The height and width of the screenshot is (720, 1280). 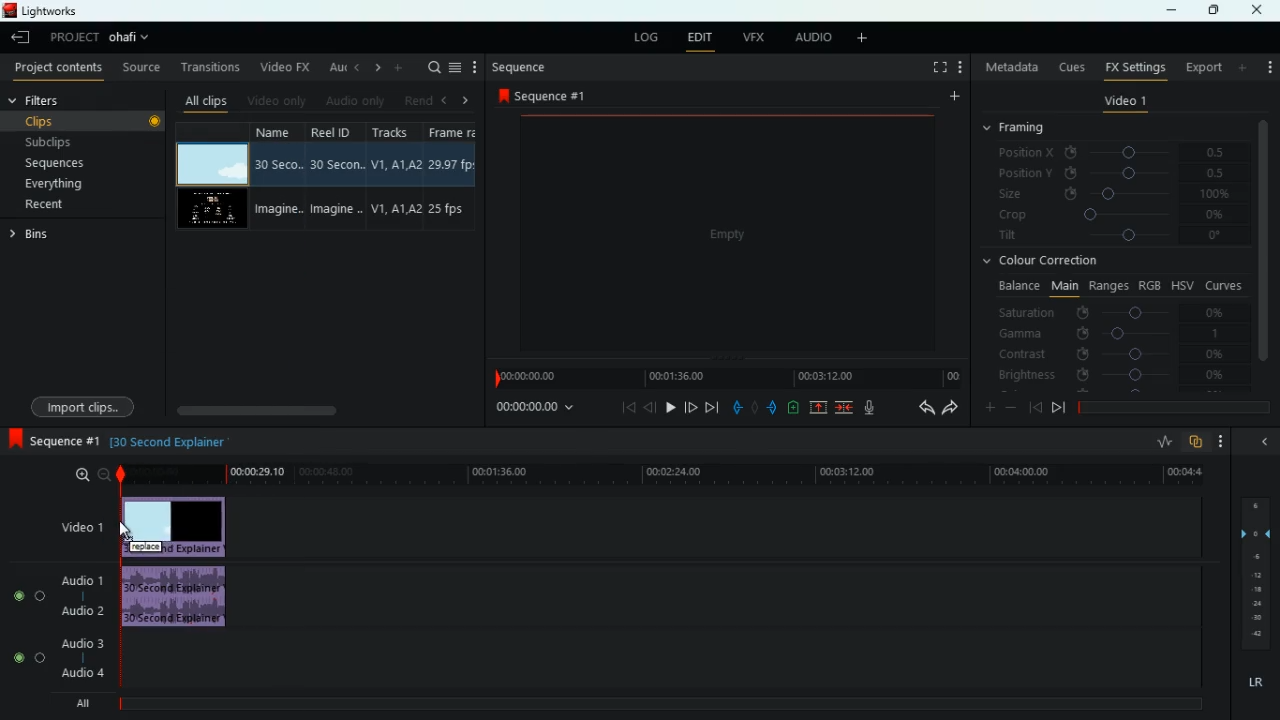 What do you see at coordinates (1067, 66) in the screenshot?
I see `cues` at bounding box center [1067, 66].